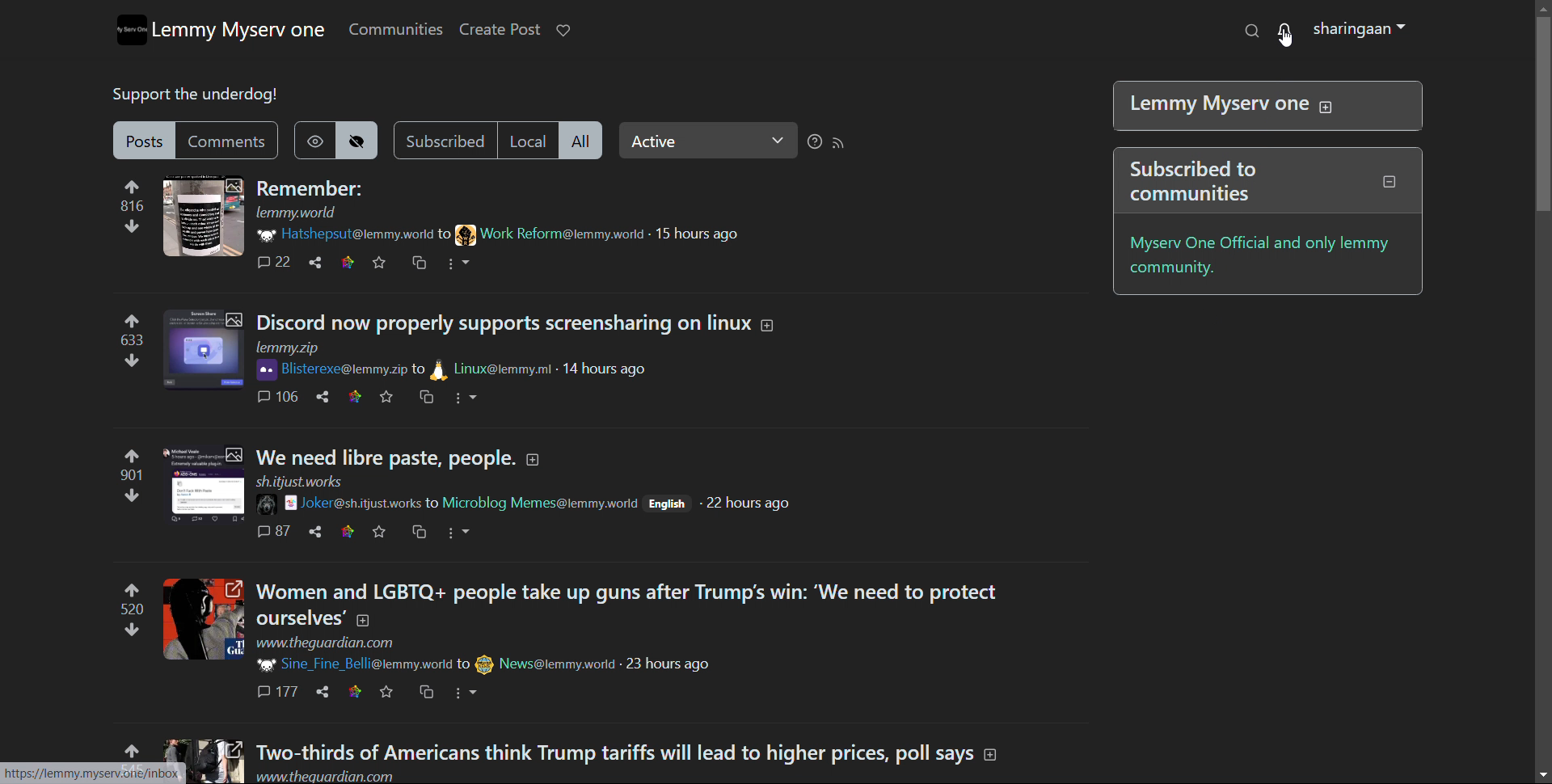 This screenshot has width=1552, height=784. What do you see at coordinates (769, 326) in the screenshot?
I see `expand` at bounding box center [769, 326].